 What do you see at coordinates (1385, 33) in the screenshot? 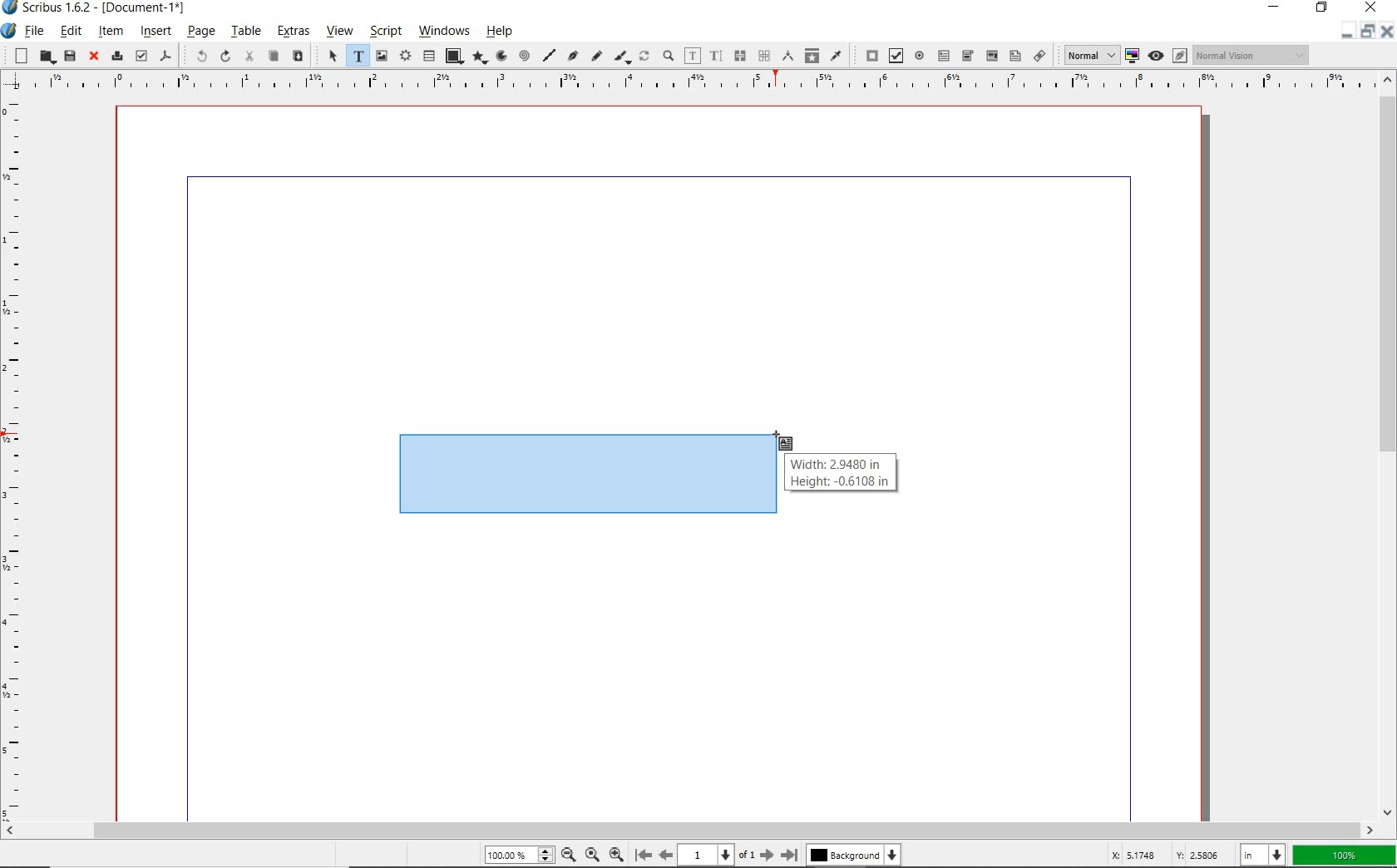
I see `Close` at bounding box center [1385, 33].